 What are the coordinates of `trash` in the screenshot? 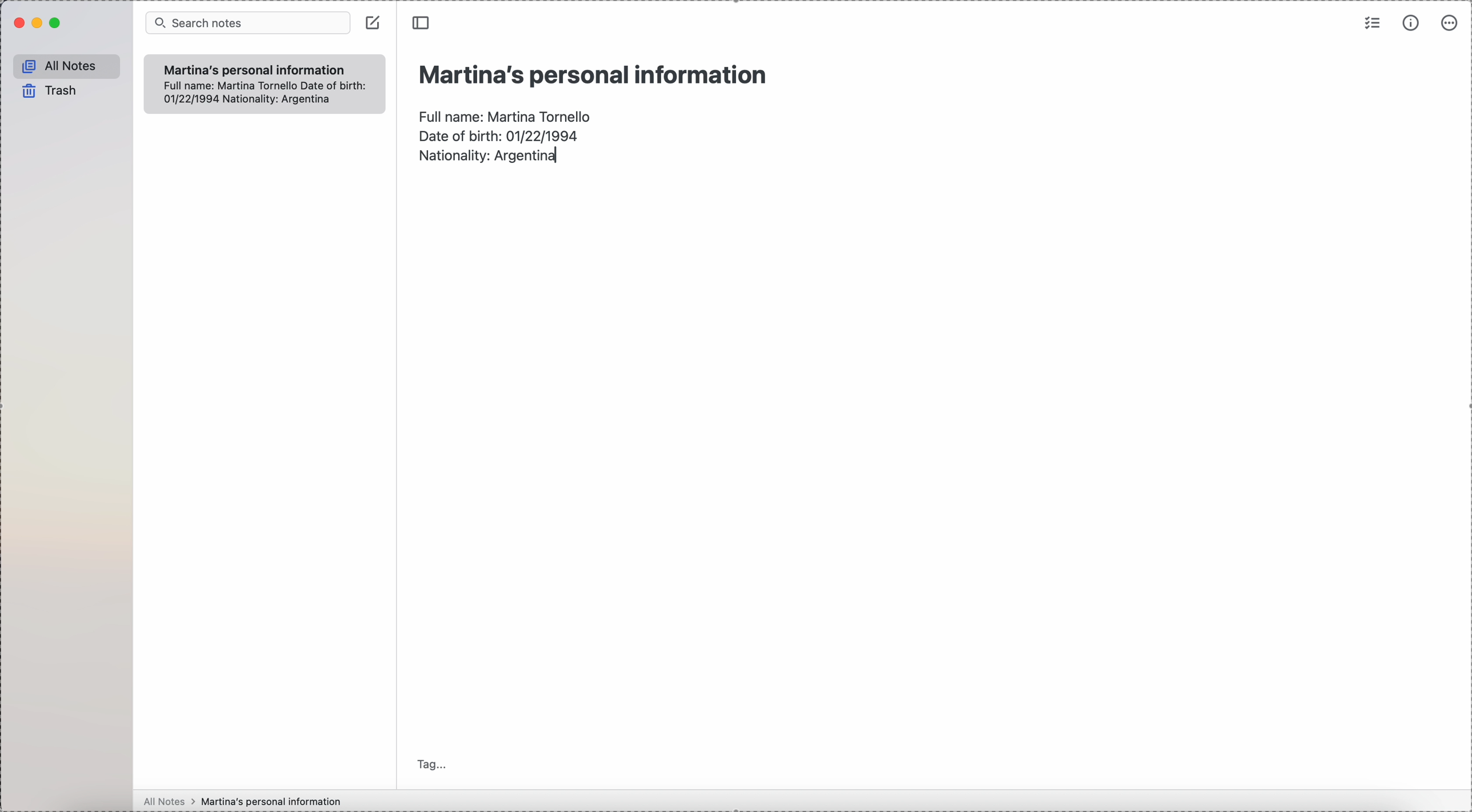 It's located at (47, 90).